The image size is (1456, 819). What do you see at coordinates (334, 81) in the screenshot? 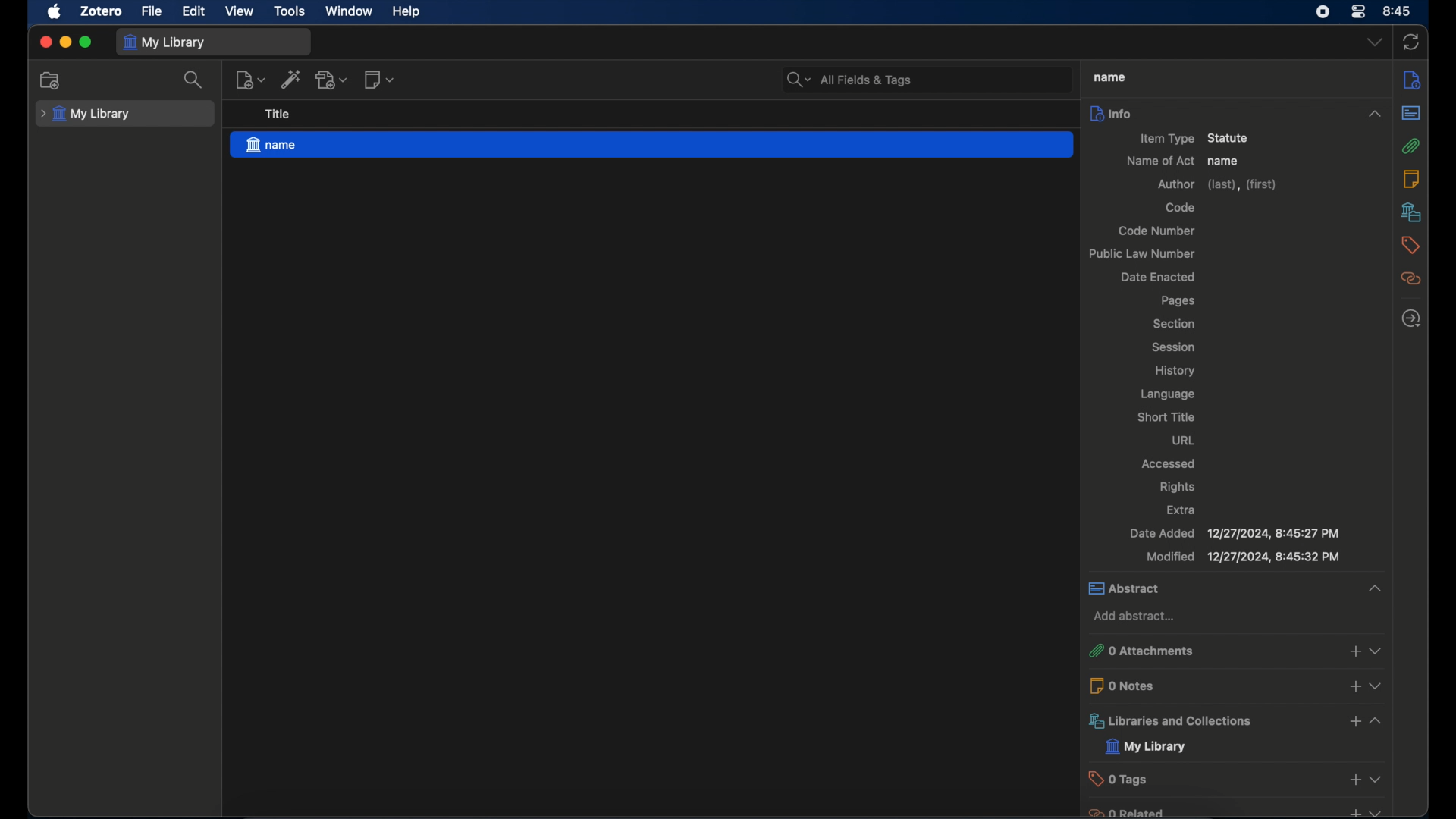
I see `add attachment` at bounding box center [334, 81].